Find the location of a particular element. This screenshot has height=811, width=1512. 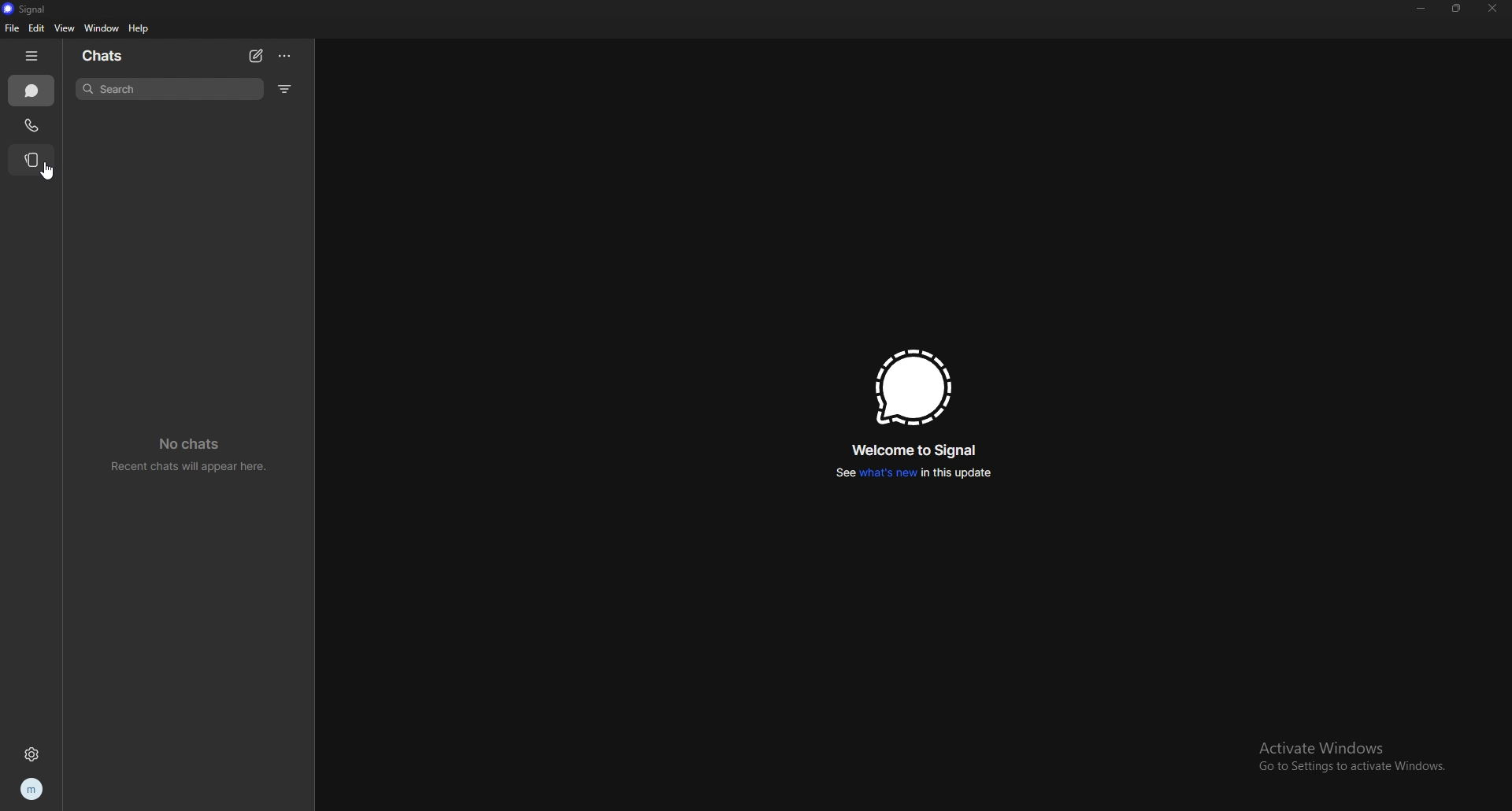

search is located at coordinates (169, 89).